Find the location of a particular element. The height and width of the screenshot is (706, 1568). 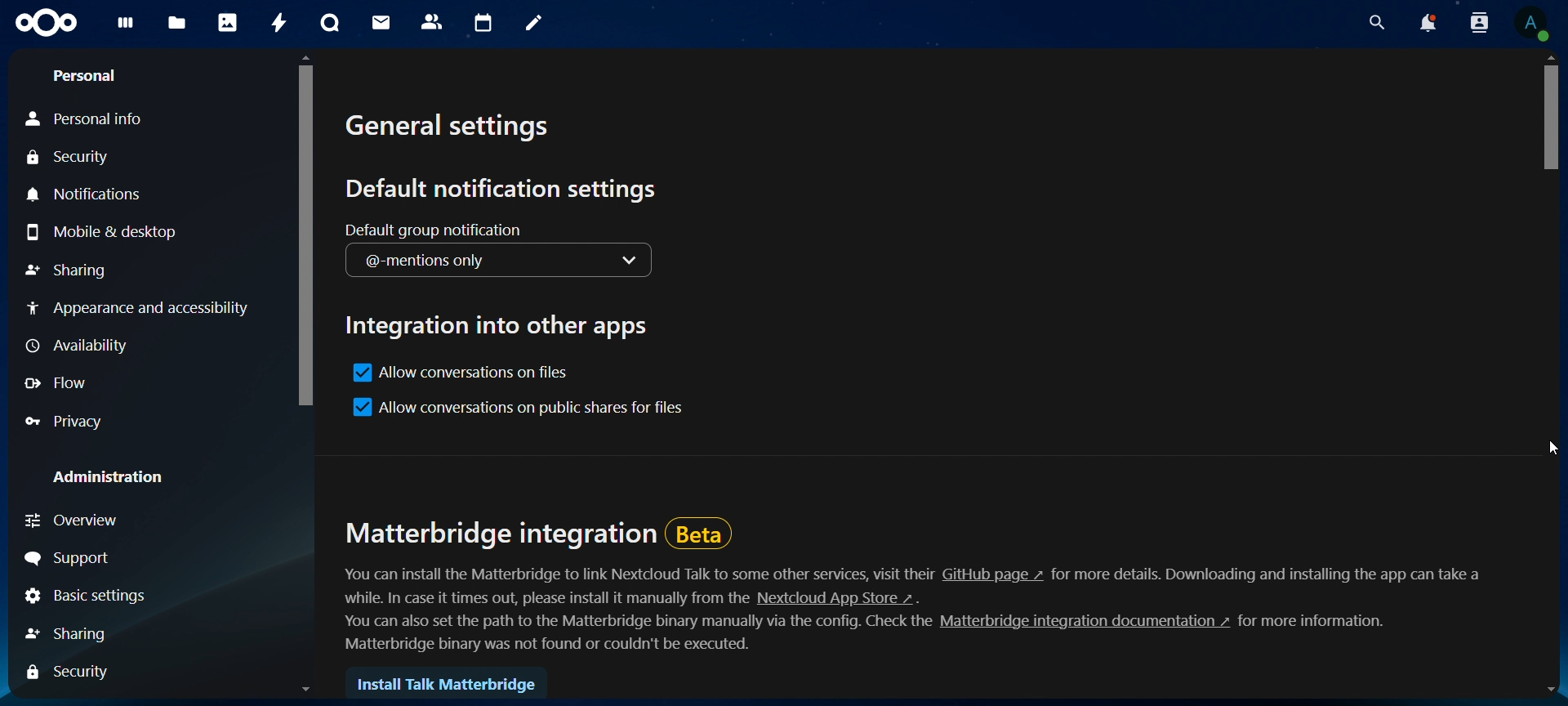

search is located at coordinates (1375, 20).